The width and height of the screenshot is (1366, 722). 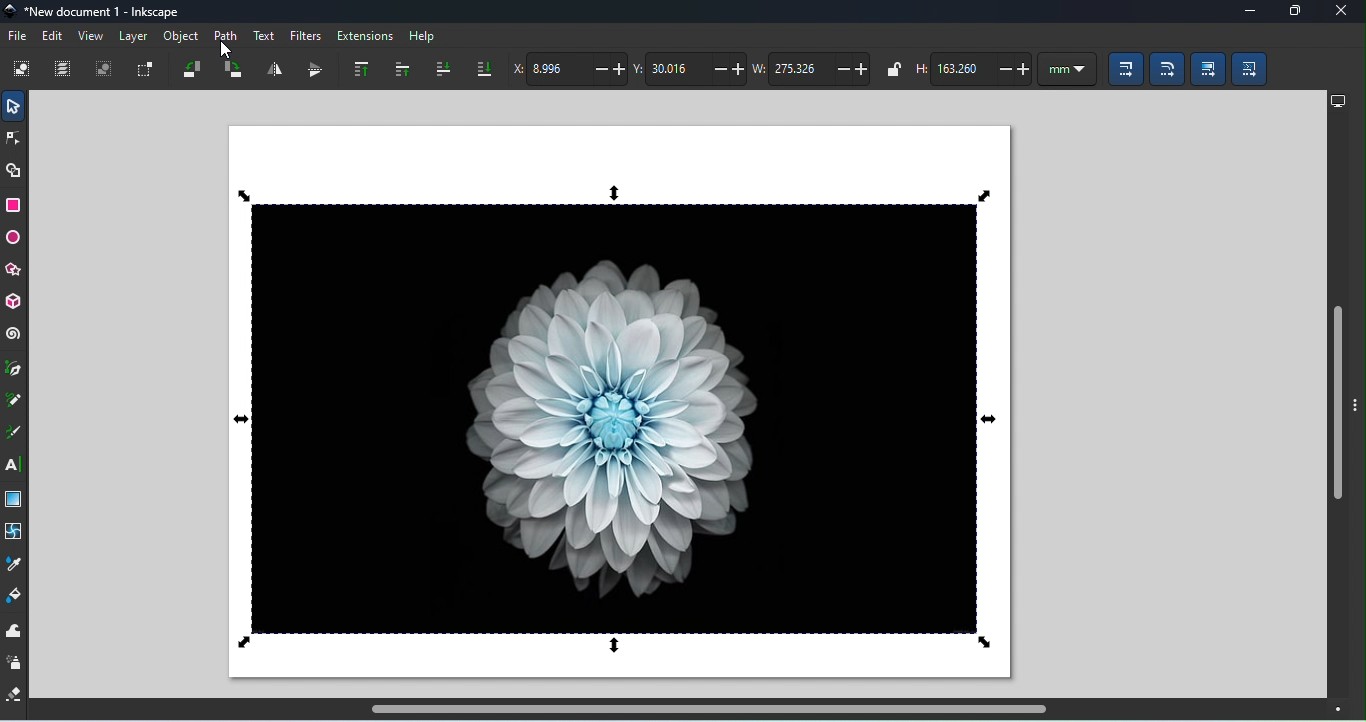 What do you see at coordinates (440, 70) in the screenshot?
I see `lower selection one step` at bounding box center [440, 70].